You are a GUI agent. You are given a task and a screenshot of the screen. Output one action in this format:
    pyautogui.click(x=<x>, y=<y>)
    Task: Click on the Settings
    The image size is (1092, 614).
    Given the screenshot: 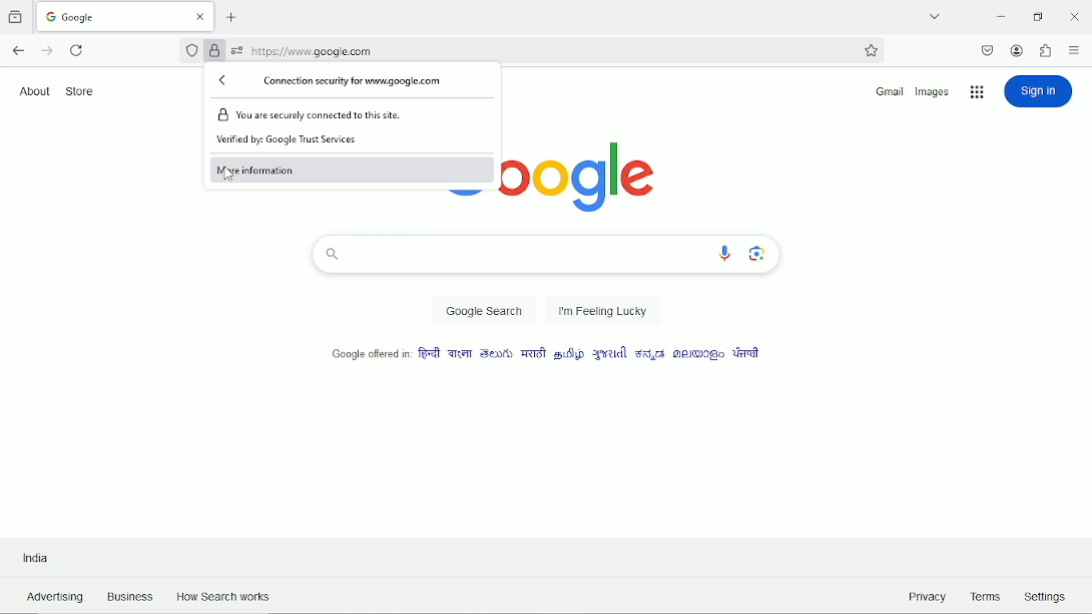 What is the action you would take?
    pyautogui.click(x=1044, y=593)
    